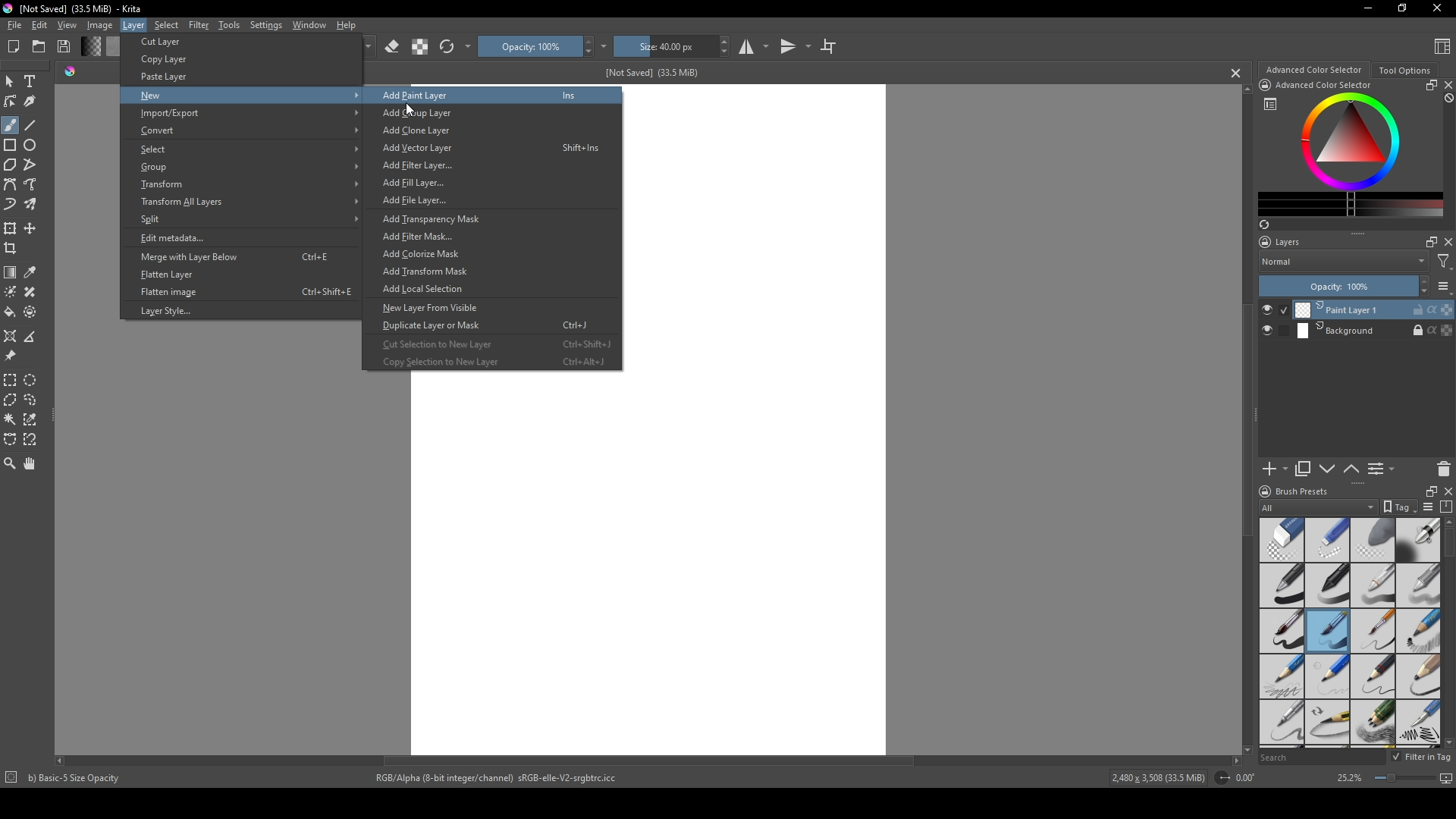 The width and height of the screenshot is (1456, 819). Describe the element at coordinates (497, 345) in the screenshot. I see `Cut Selection to New Layer` at that location.